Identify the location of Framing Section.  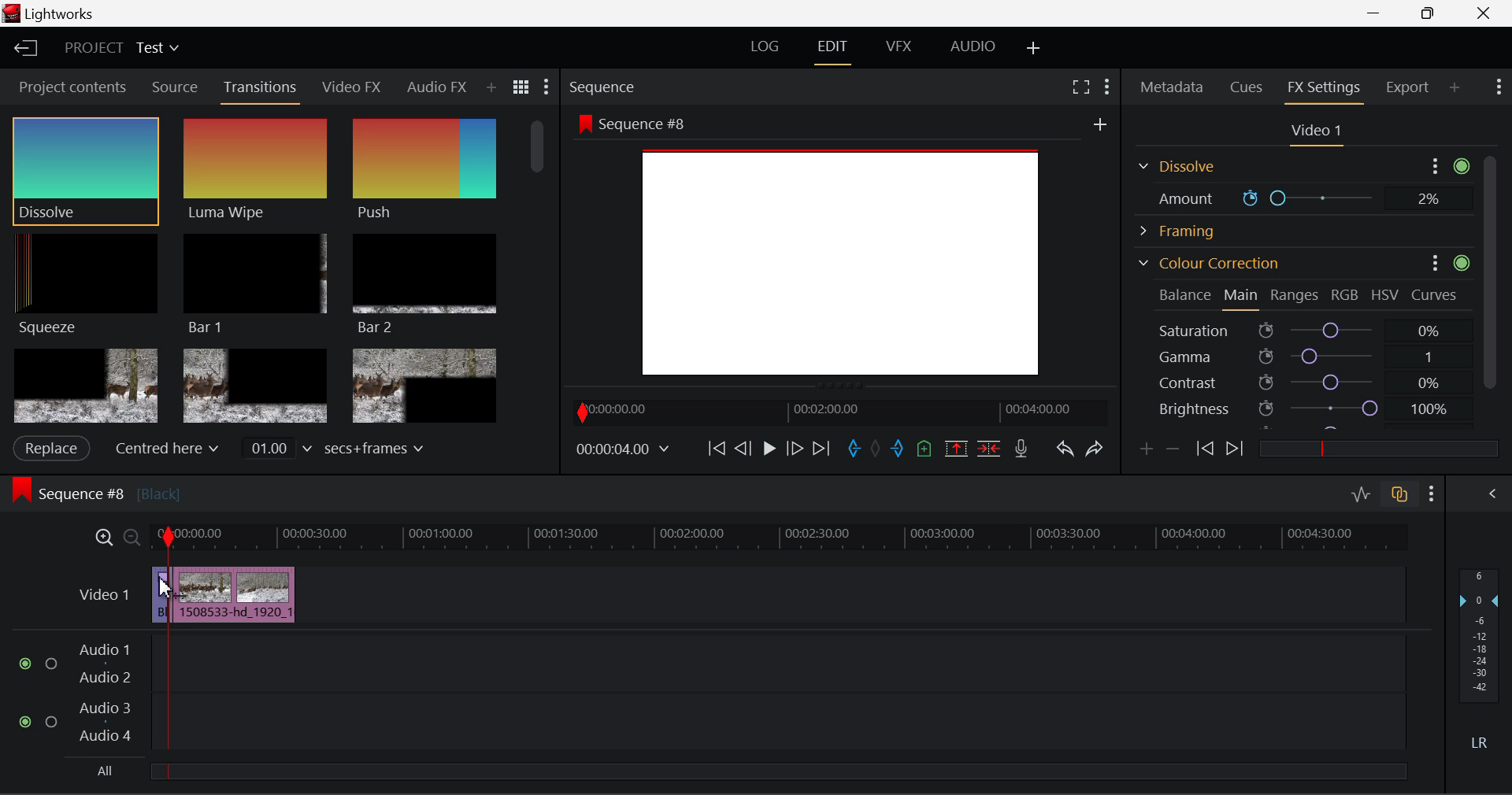
(1190, 164).